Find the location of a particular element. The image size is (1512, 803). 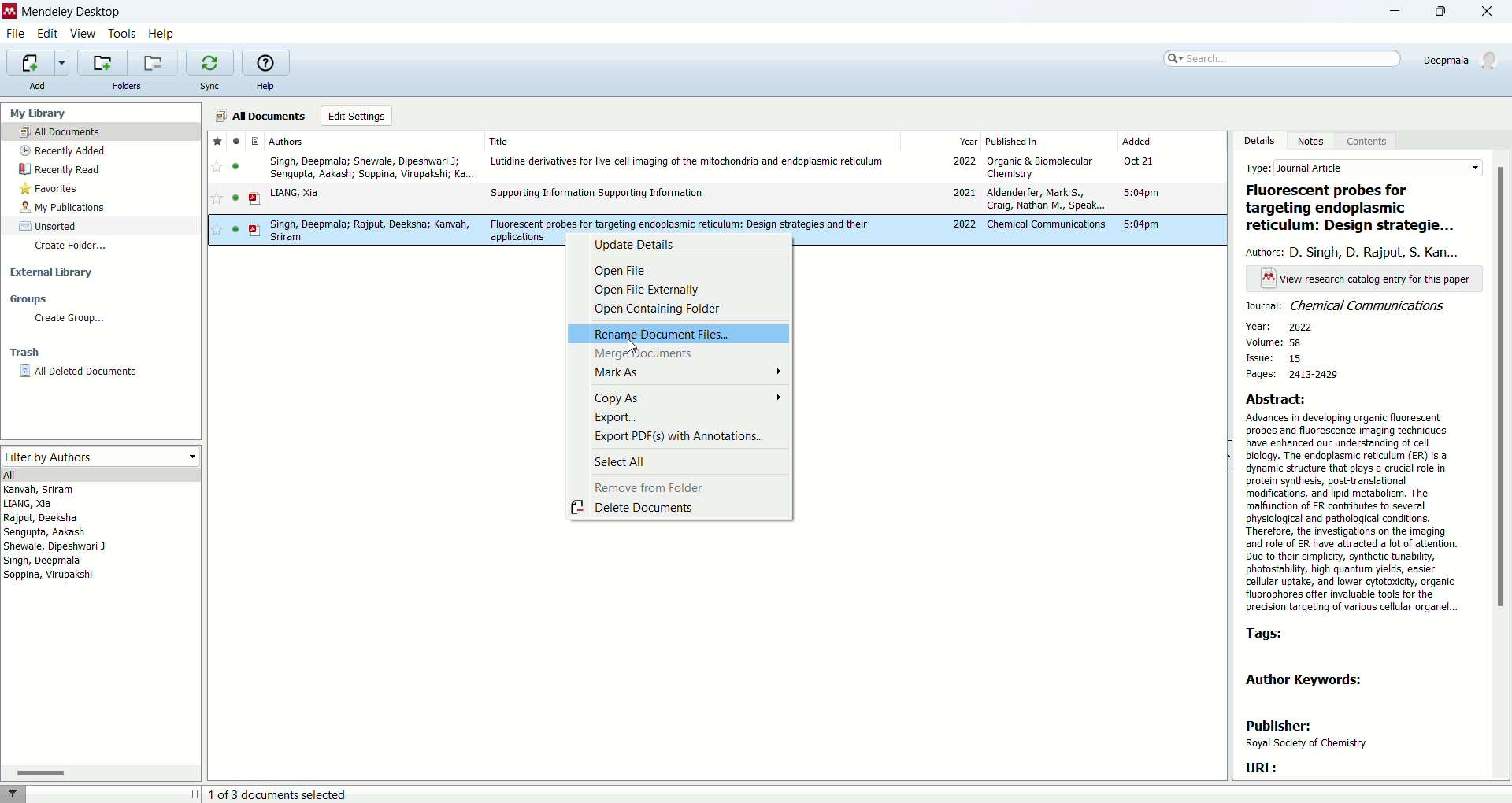

filter is located at coordinates (14, 792).